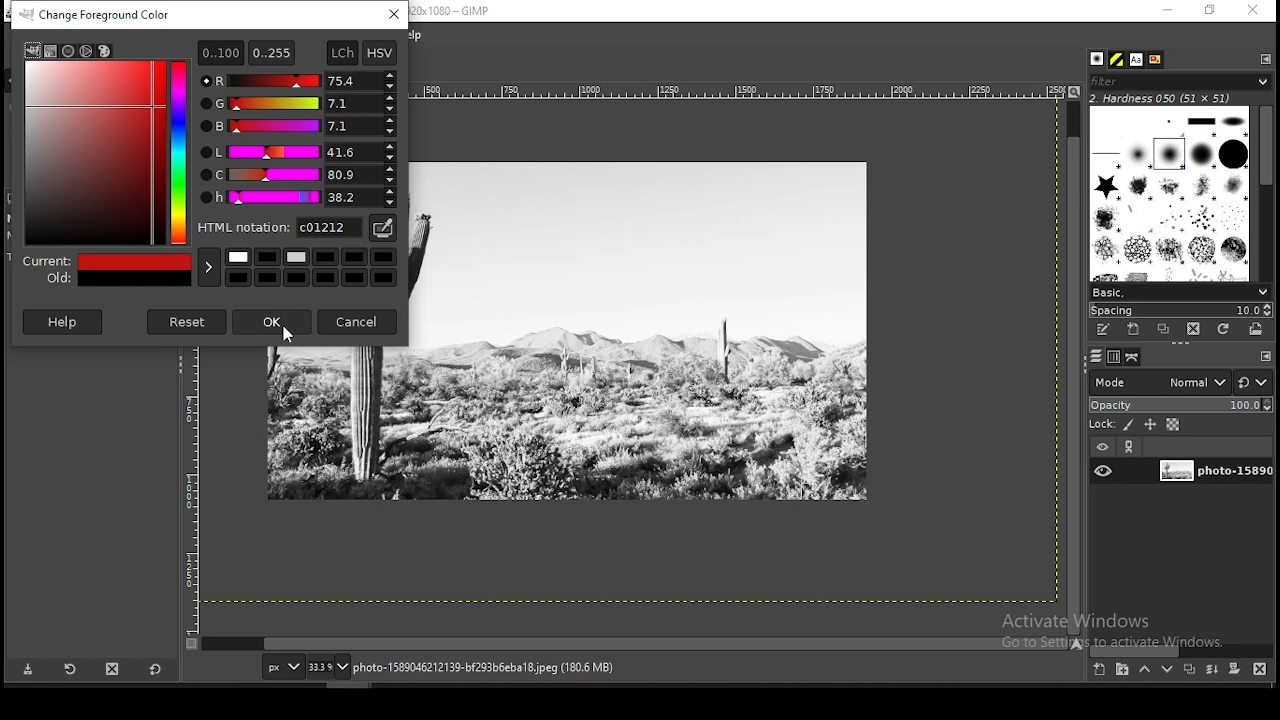 The width and height of the screenshot is (1280, 720). Describe the element at coordinates (1179, 404) in the screenshot. I see `opacity` at that location.